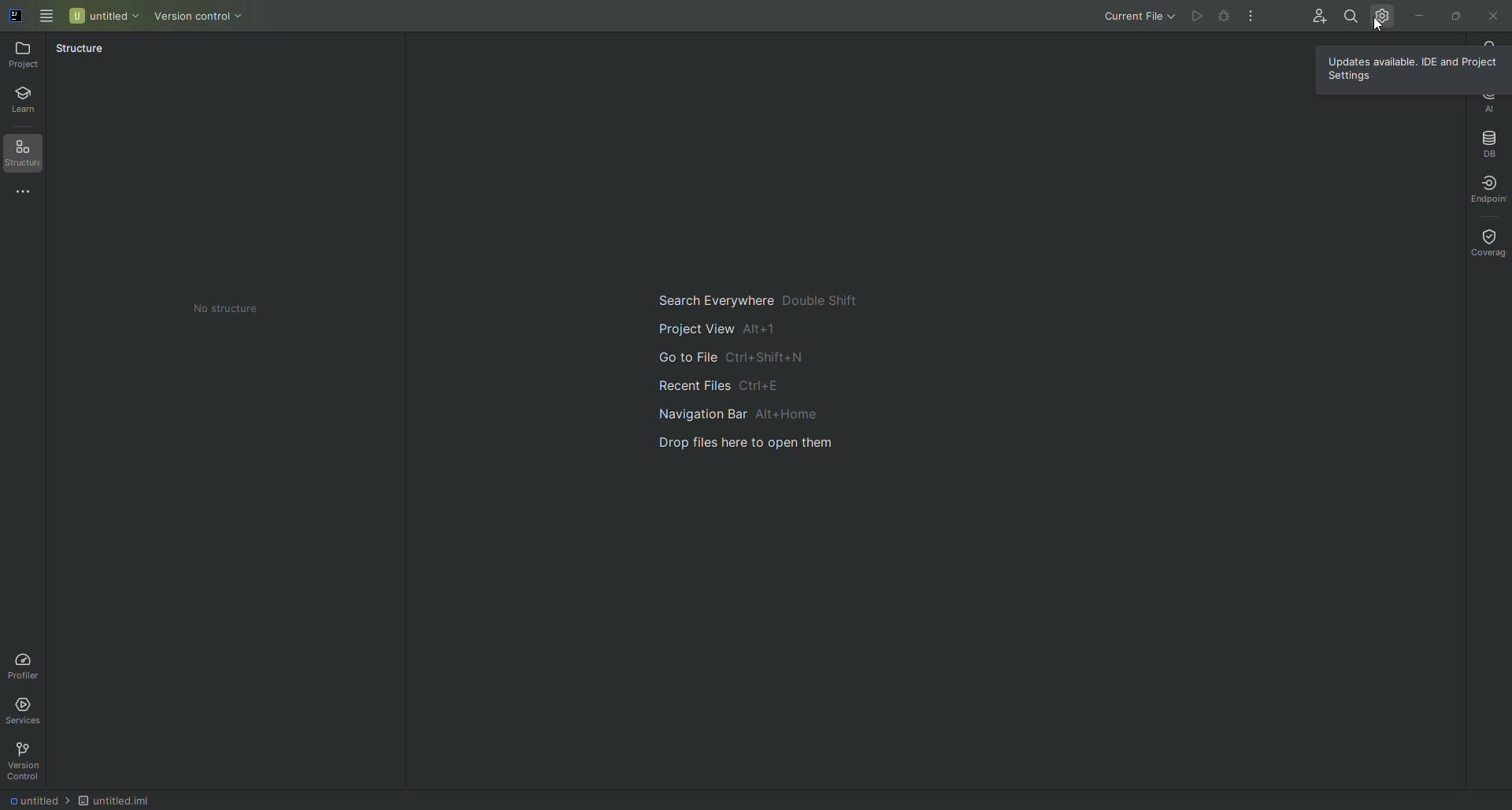  I want to click on Main Menu, so click(47, 14).